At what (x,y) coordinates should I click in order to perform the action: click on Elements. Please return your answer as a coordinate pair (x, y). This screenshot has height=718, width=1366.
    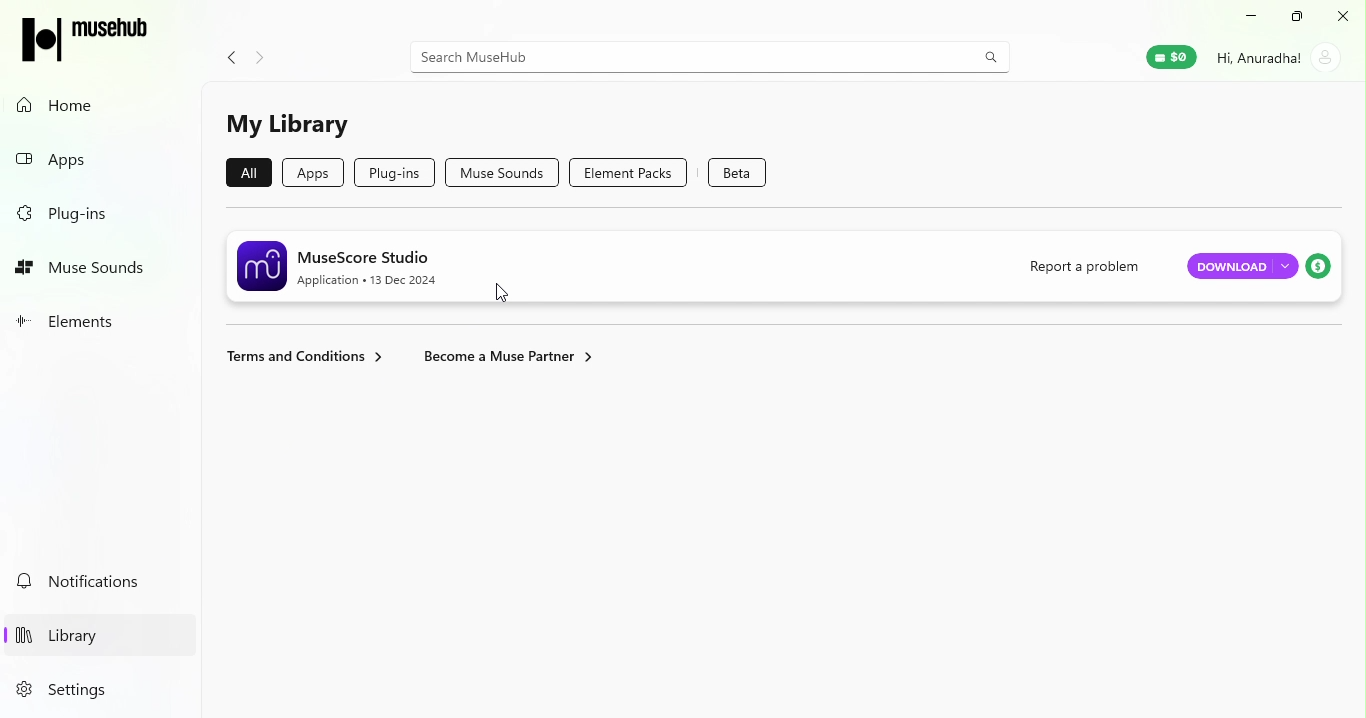
    Looking at the image, I should click on (94, 322).